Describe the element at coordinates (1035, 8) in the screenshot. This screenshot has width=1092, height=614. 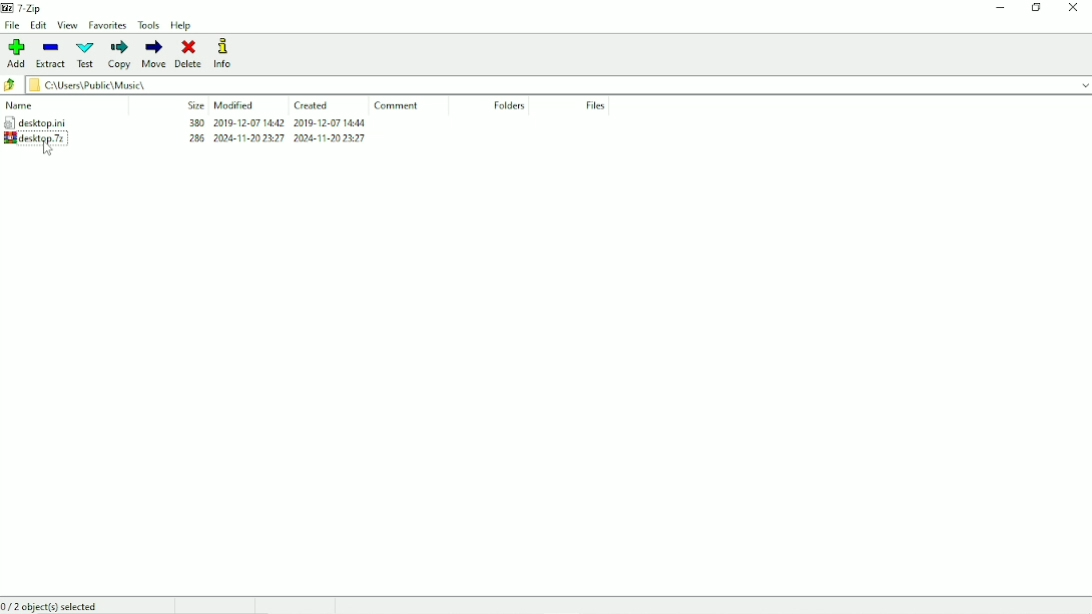
I see `Restore down` at that location.